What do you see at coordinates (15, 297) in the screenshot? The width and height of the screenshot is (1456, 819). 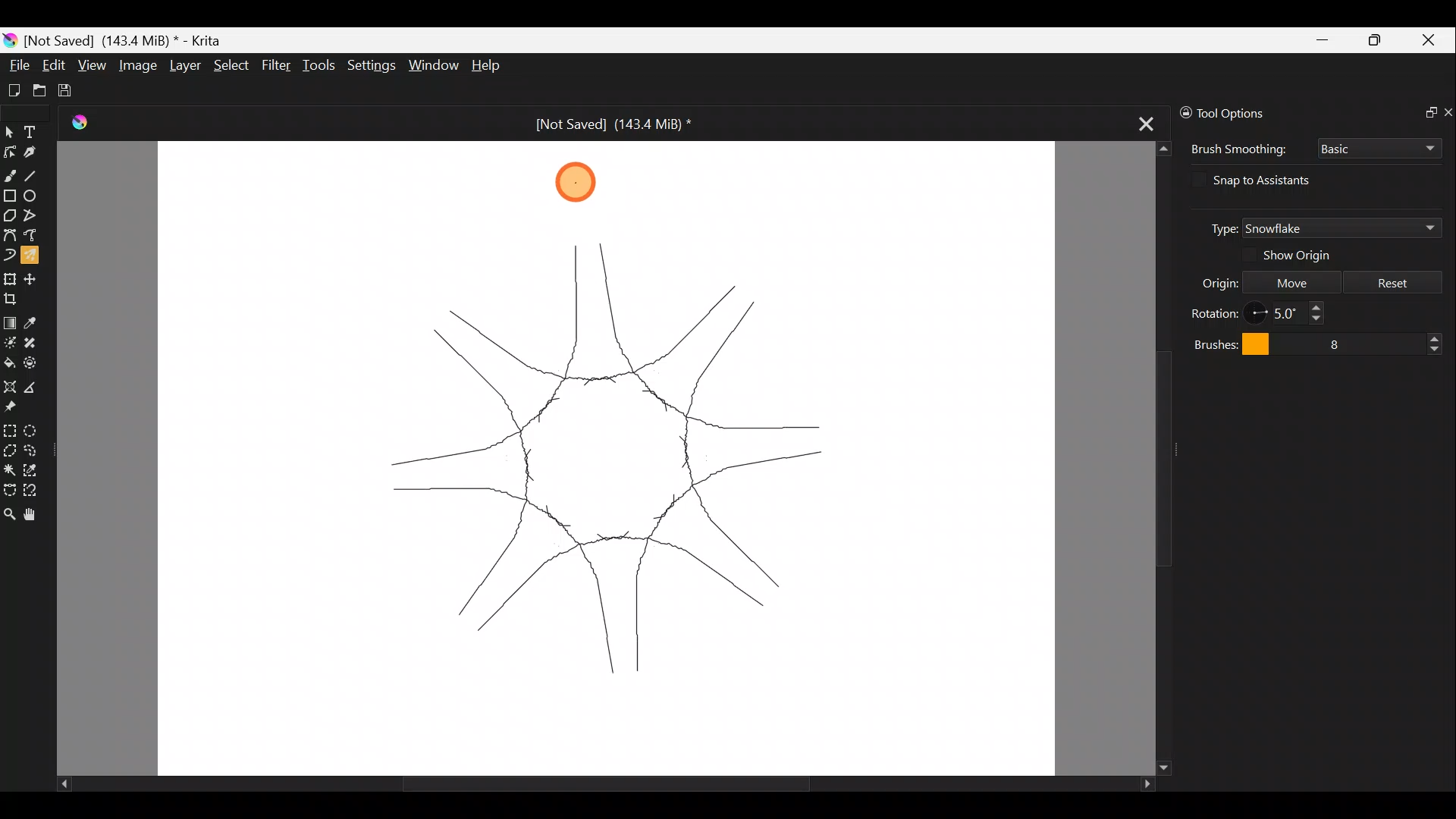 I see `Crop an image` at bounding box center [15, 297].